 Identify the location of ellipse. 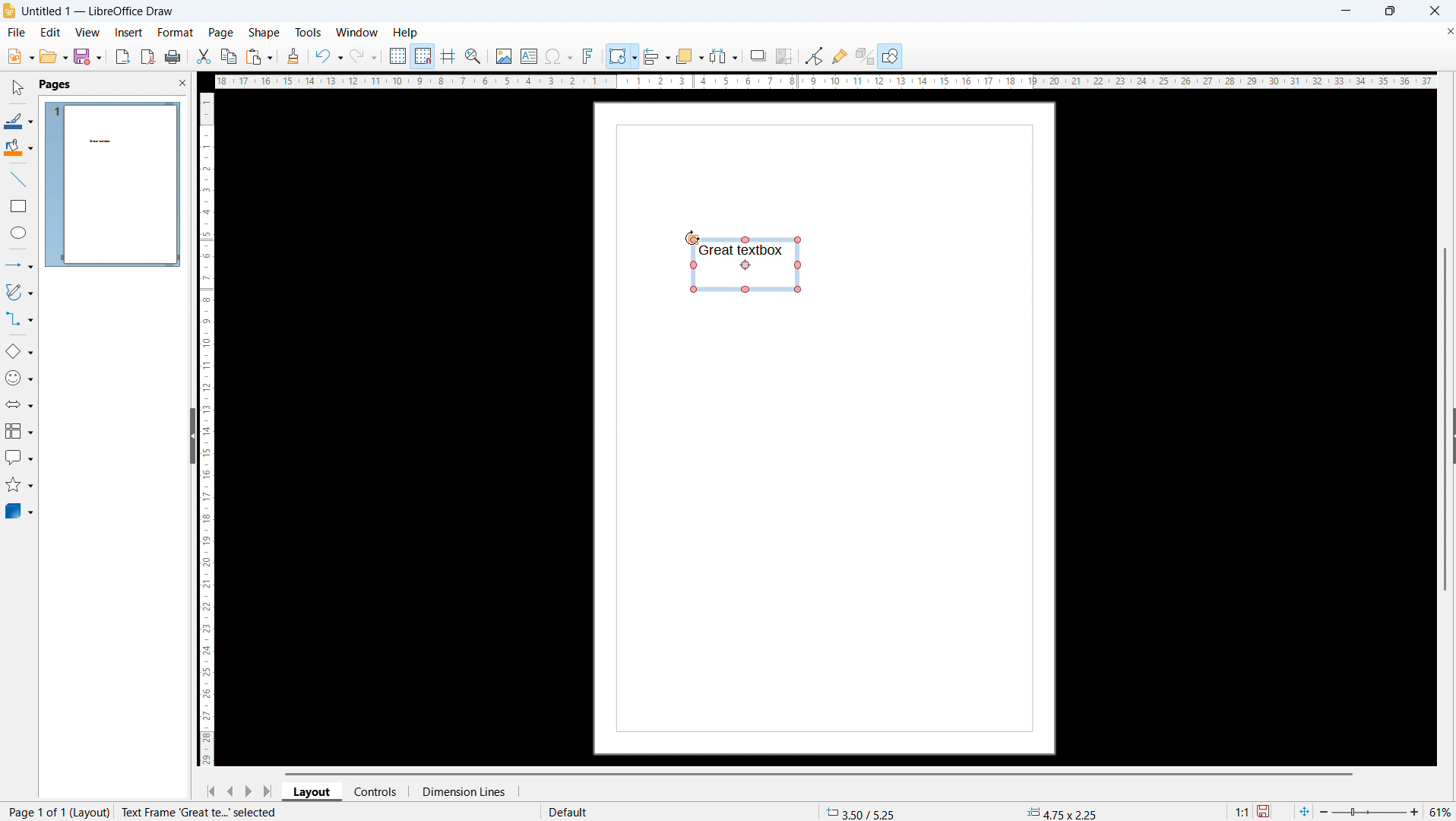
(18, 234).